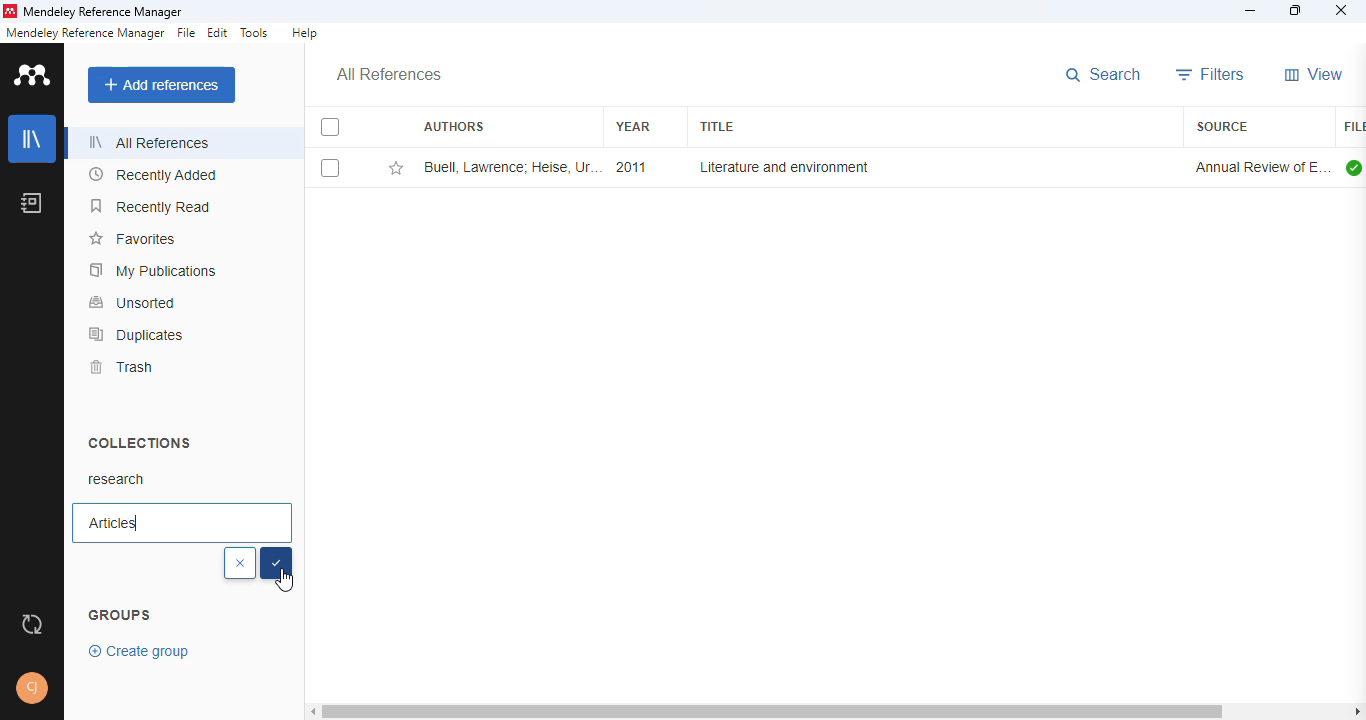 This screenshot has width=1366, height=720. I want to click on logo, so click(9, 11).